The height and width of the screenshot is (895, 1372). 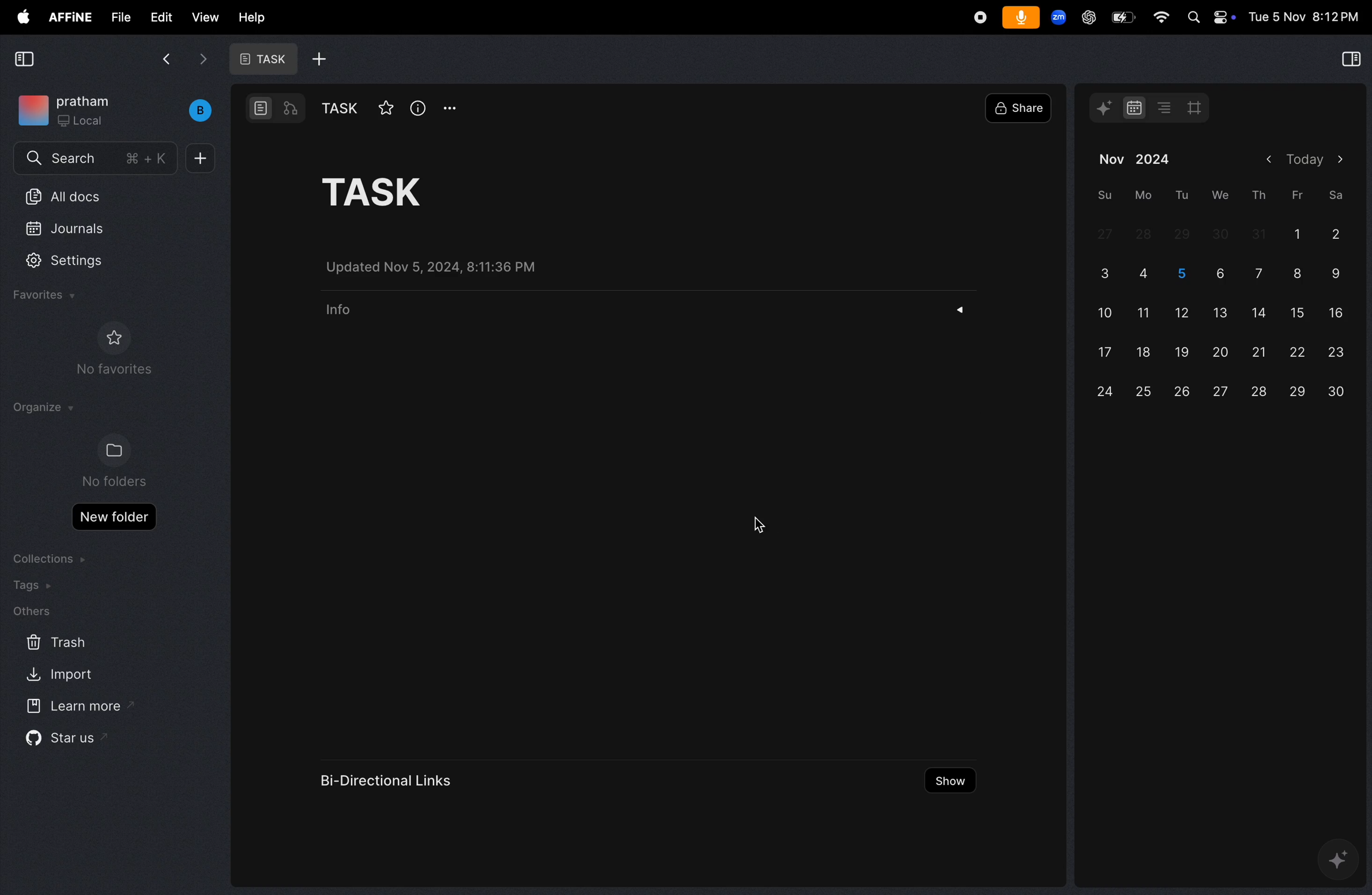 I want to click on wifi, so click(x=1156, y=18).